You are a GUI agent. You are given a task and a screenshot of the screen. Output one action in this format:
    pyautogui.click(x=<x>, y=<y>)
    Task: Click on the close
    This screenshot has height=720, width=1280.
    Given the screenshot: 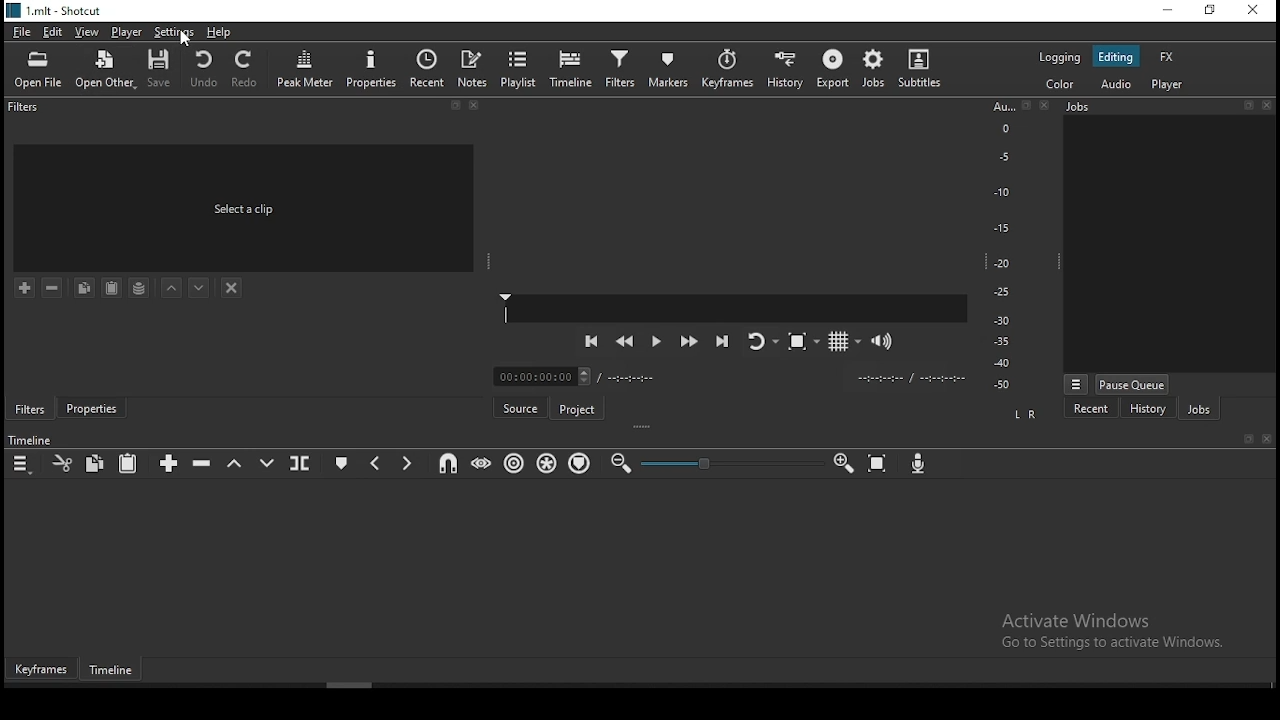 What is the action you would take?
    pyautogui.click(x=1269, y=104)
    